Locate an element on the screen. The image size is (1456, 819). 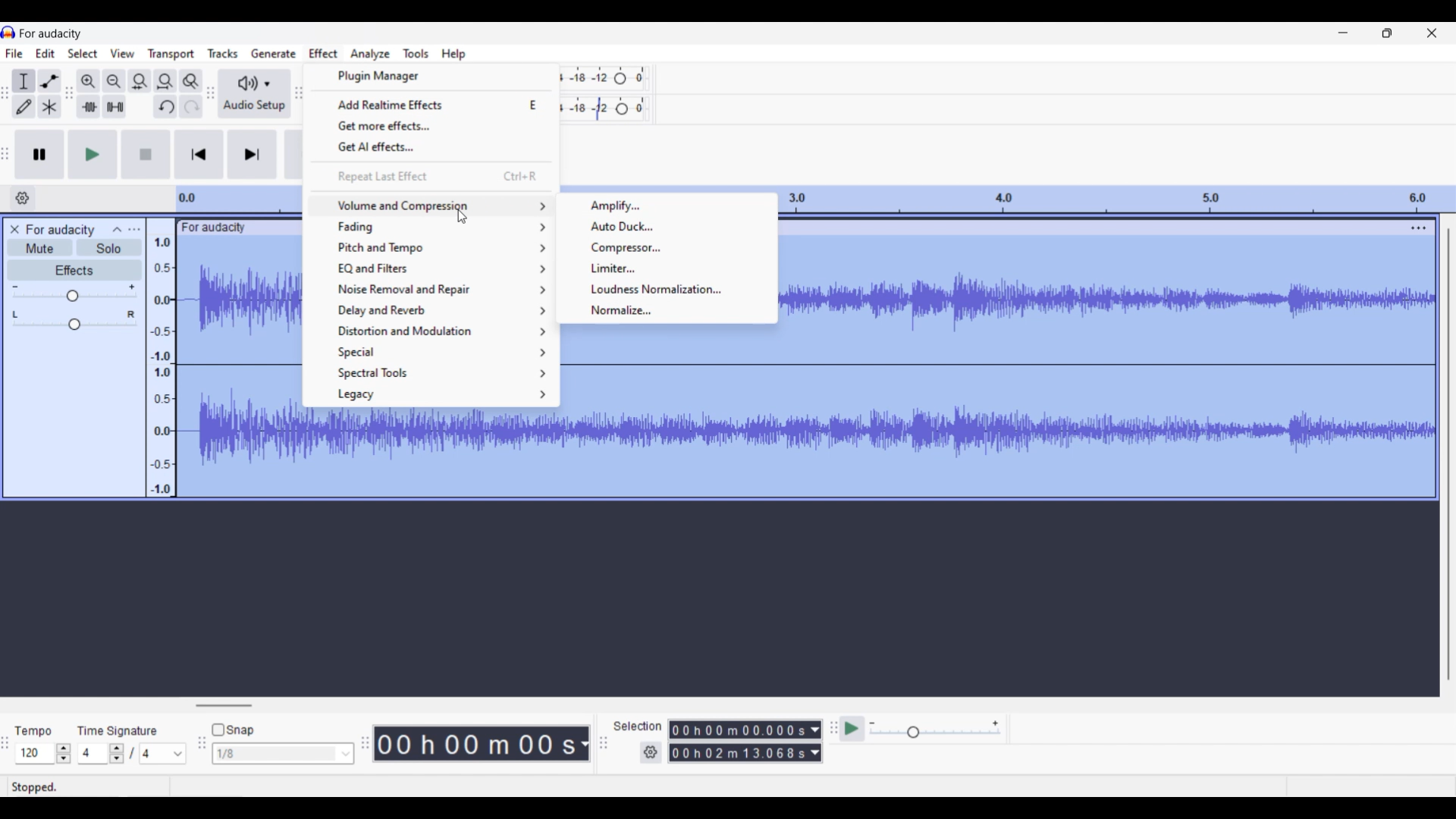
Add realtime effects is located at coordinates (433, 104).